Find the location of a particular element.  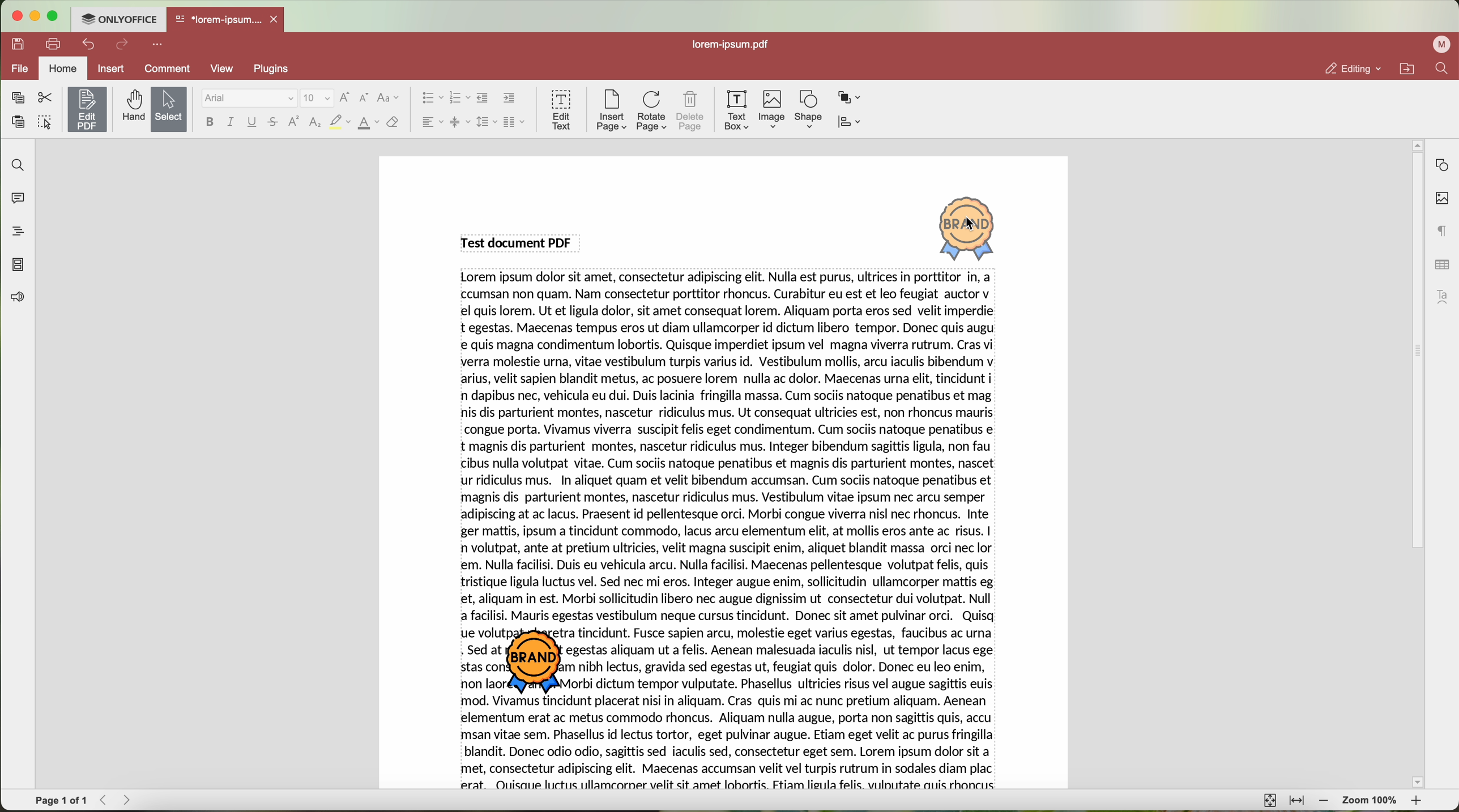

maximize is located at coordinates (54, 16).